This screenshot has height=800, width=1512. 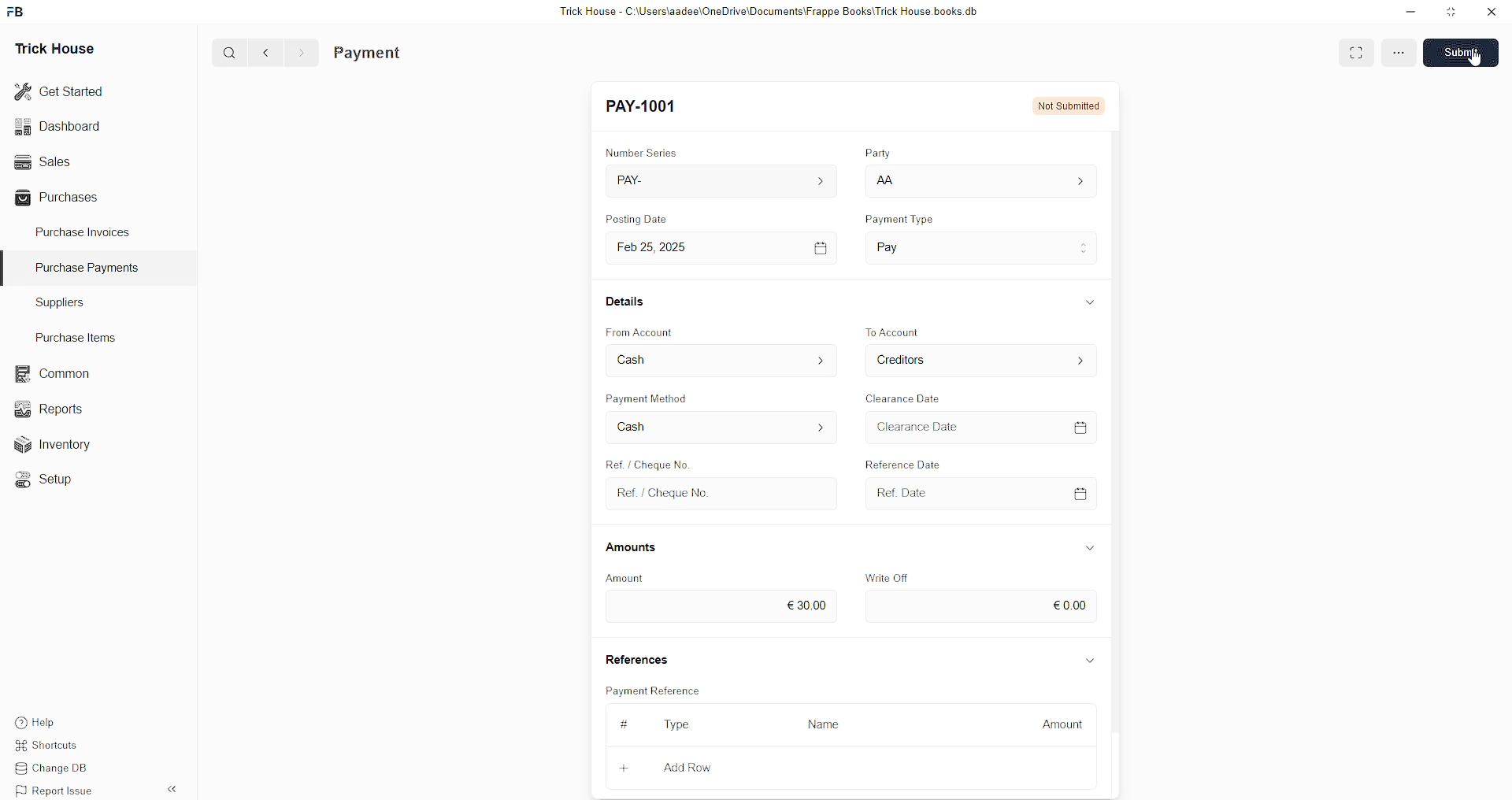 What do you see at coordinates (1492, 12) in the screenshot?
I see `close` at bounding box center [1492, 12].